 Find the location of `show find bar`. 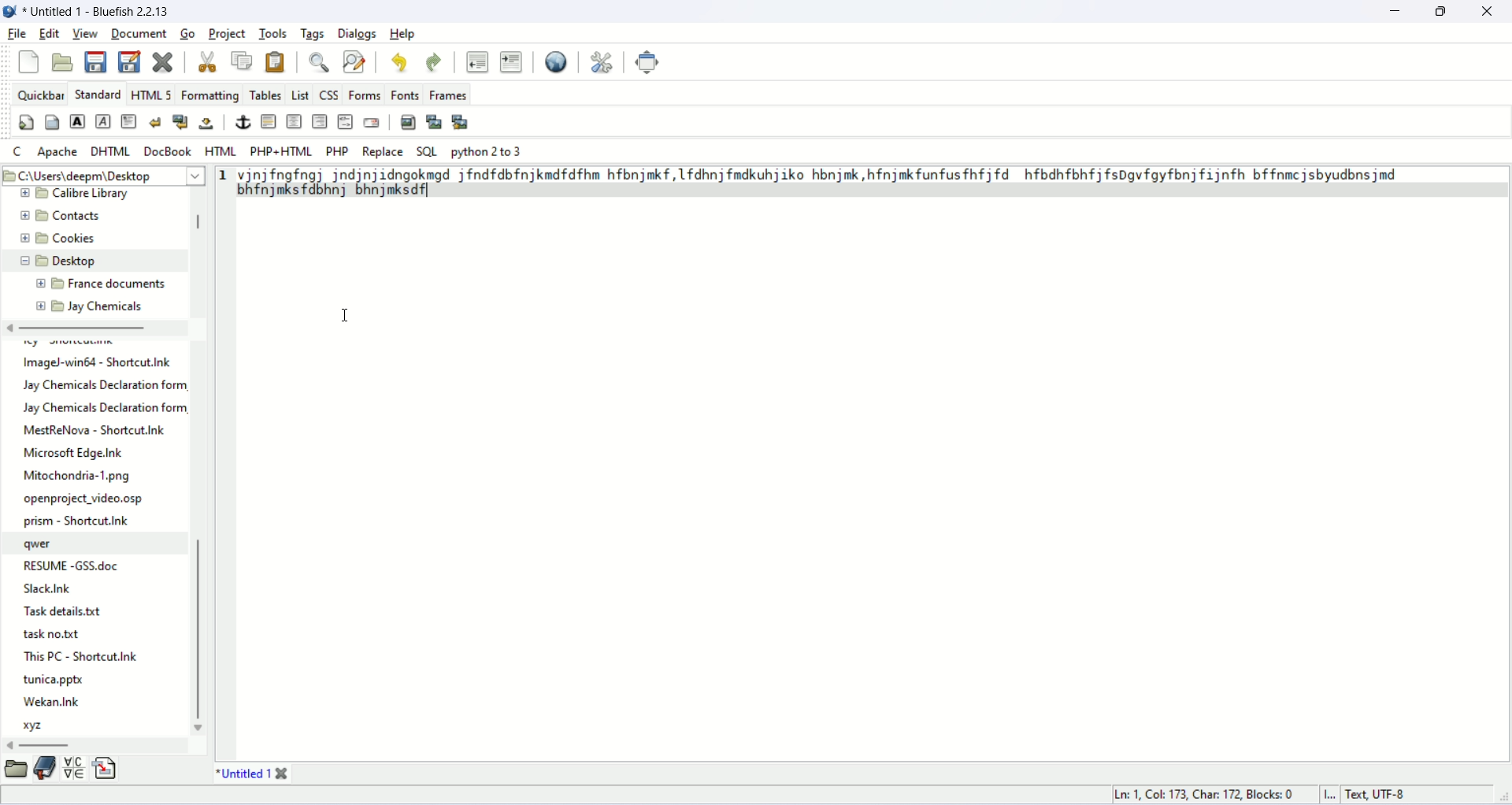

show find bar is located at coordinates (320, 62).